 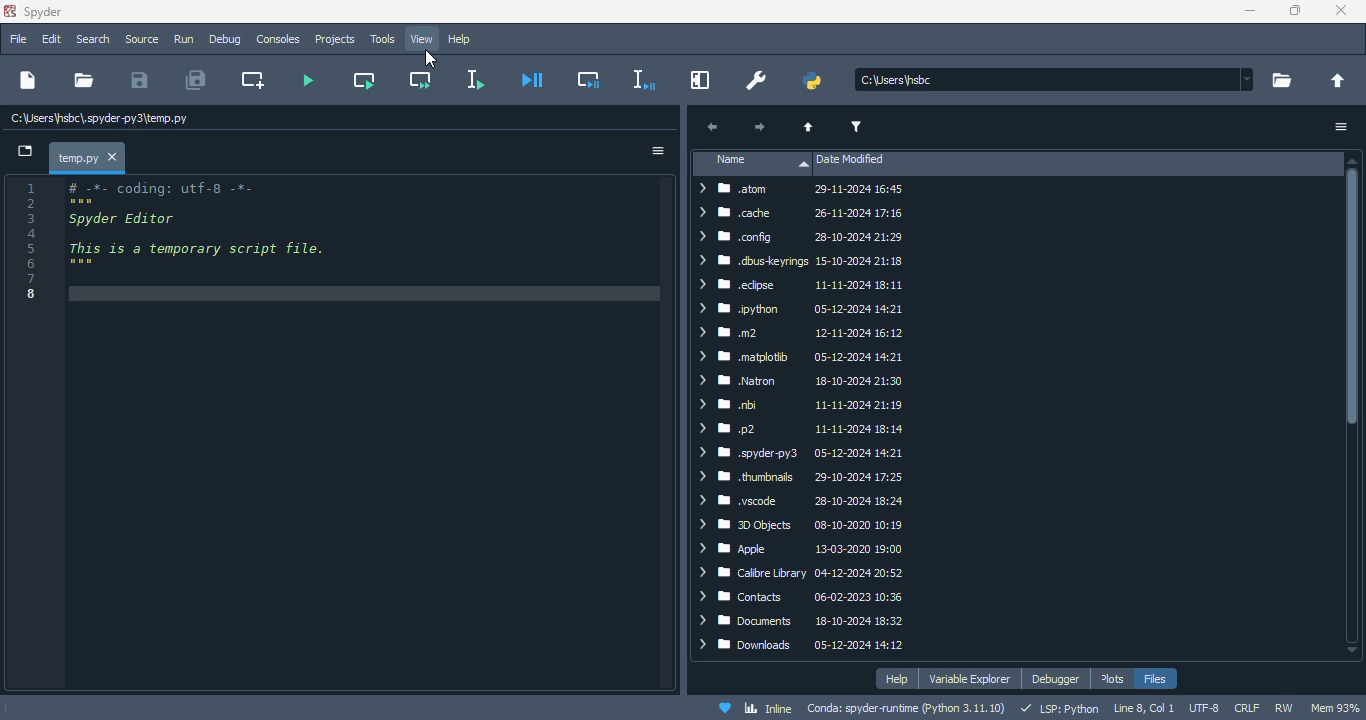 I want to click on parent, so click(x=809, y=128).